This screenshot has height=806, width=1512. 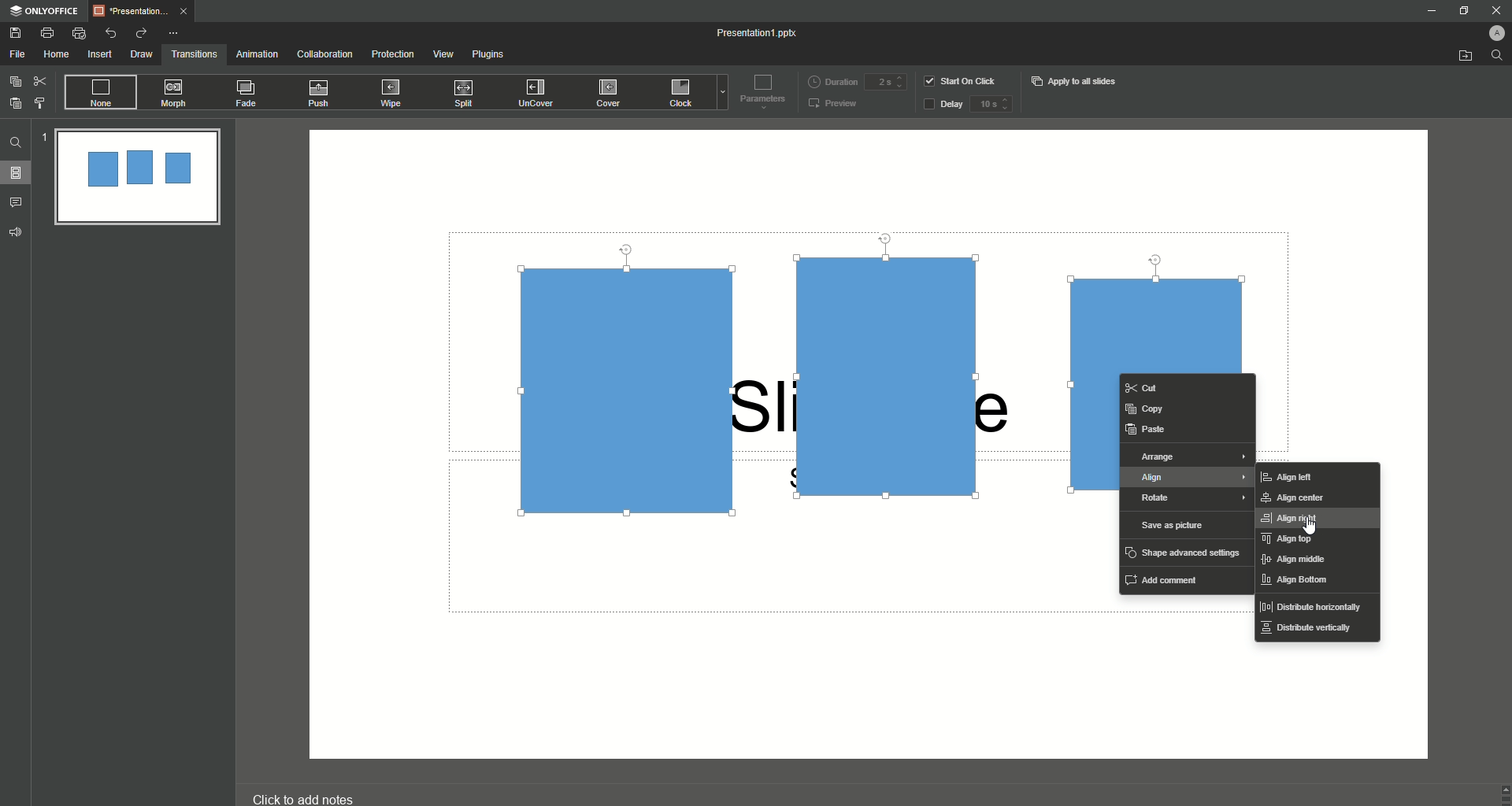 What do you see at coordinates (40, 103) in the screenshot?
I see `Choose Style` at bounding box center [40, 103].